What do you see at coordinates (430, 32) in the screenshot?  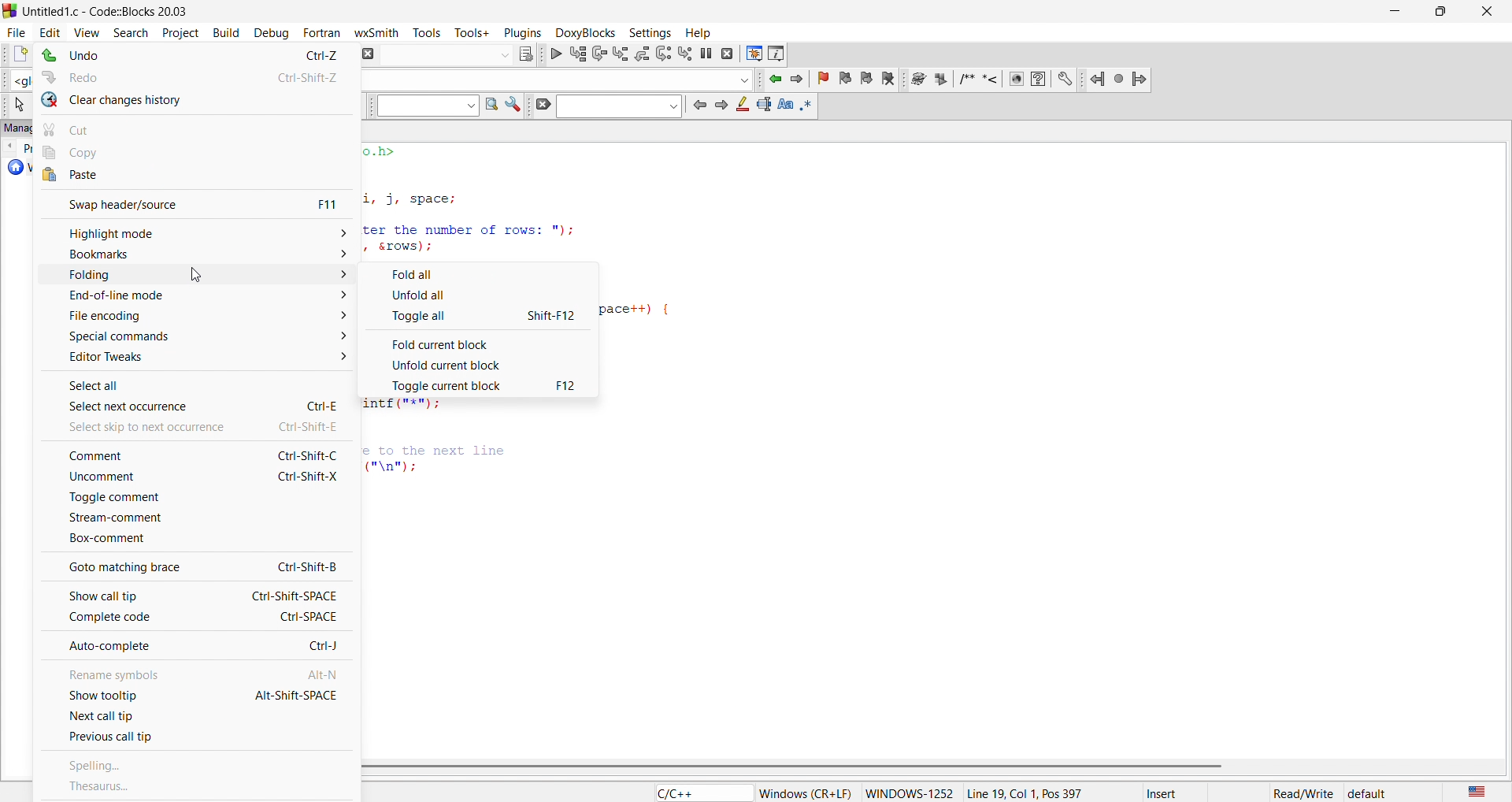 I see `tools` at bounding box center [430, 32].